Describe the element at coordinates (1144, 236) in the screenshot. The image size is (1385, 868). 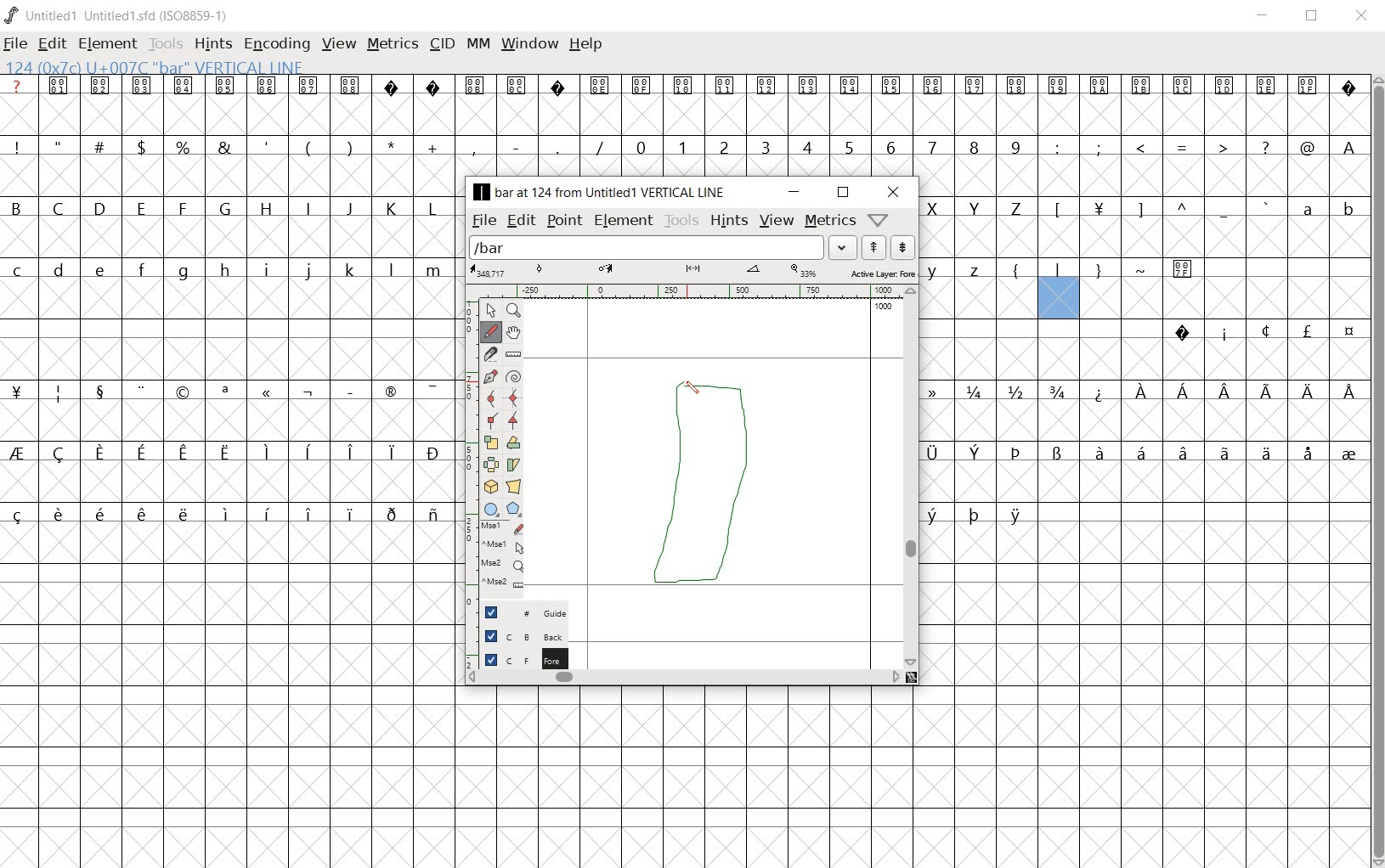
I see `empty cells` at that location.